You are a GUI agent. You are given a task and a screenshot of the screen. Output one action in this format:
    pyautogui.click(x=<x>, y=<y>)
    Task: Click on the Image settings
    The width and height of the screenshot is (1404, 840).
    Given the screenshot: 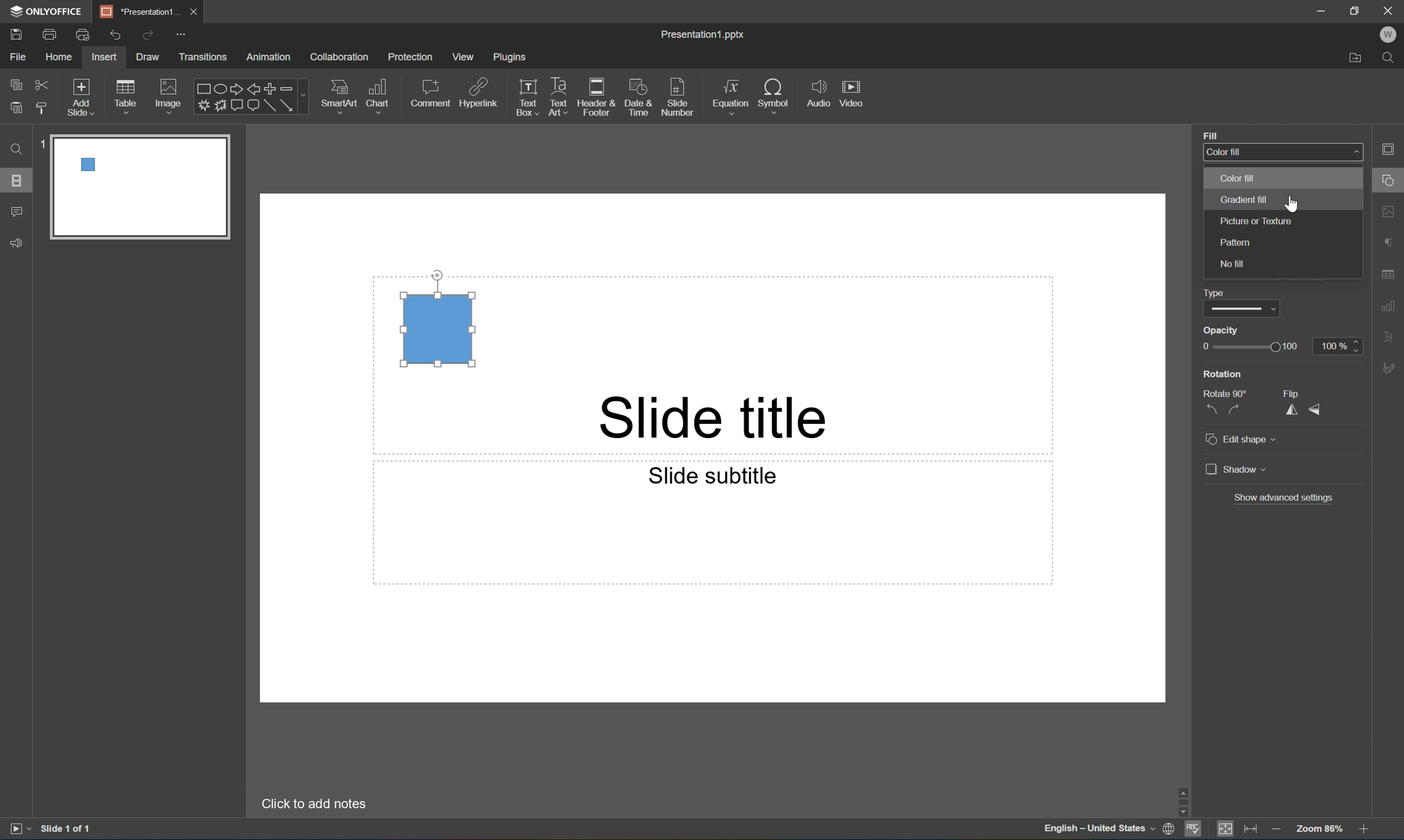 What is the action you would take?
    pyautogui.click(x=1392, y=209)
    